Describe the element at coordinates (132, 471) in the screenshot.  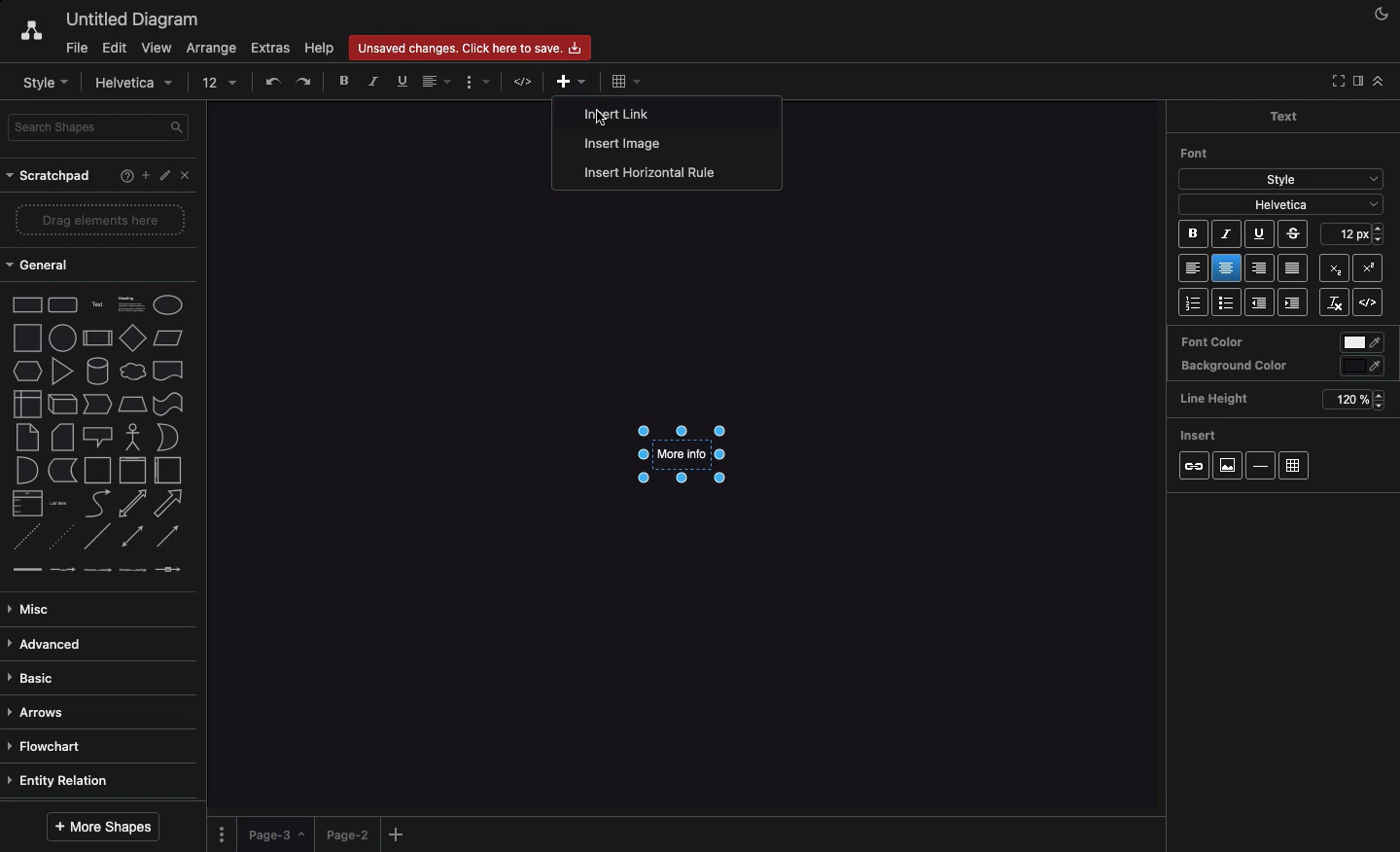
I see `vertical container` at that location.